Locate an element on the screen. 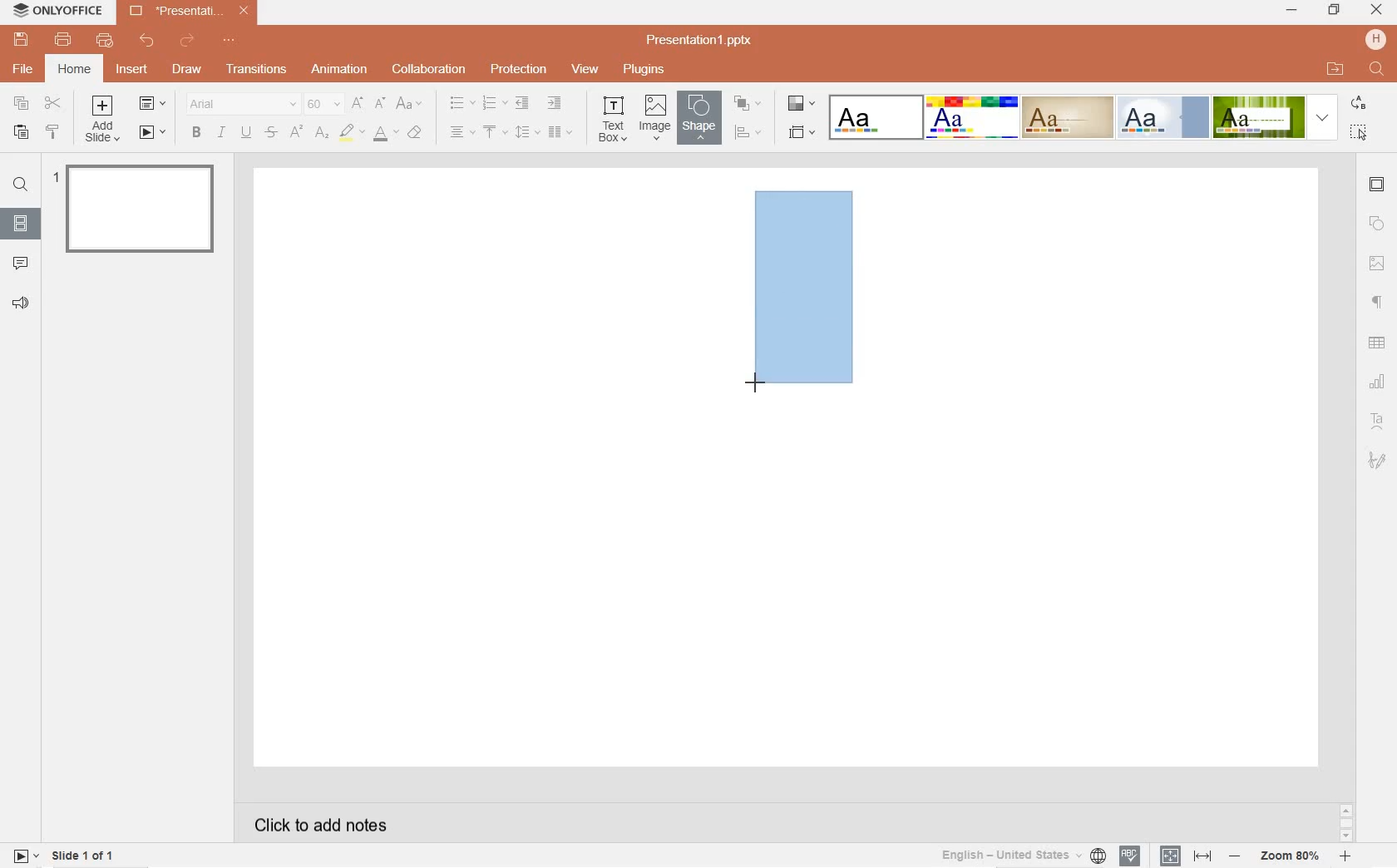  English - United States is located at coordinates (1021, 856).